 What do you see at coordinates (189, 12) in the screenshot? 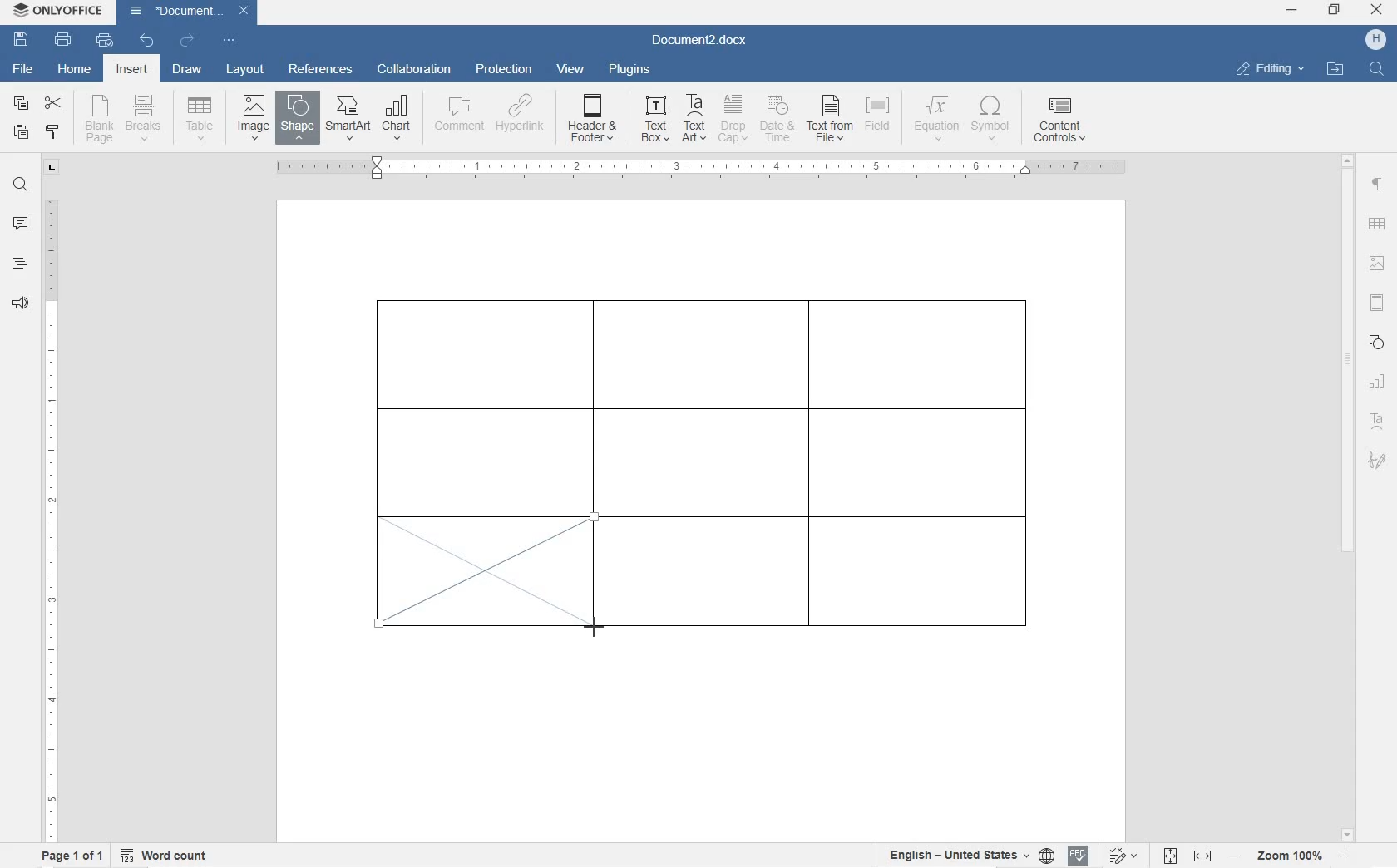
I see `Document3.docx` at bounding box center [189, 12].